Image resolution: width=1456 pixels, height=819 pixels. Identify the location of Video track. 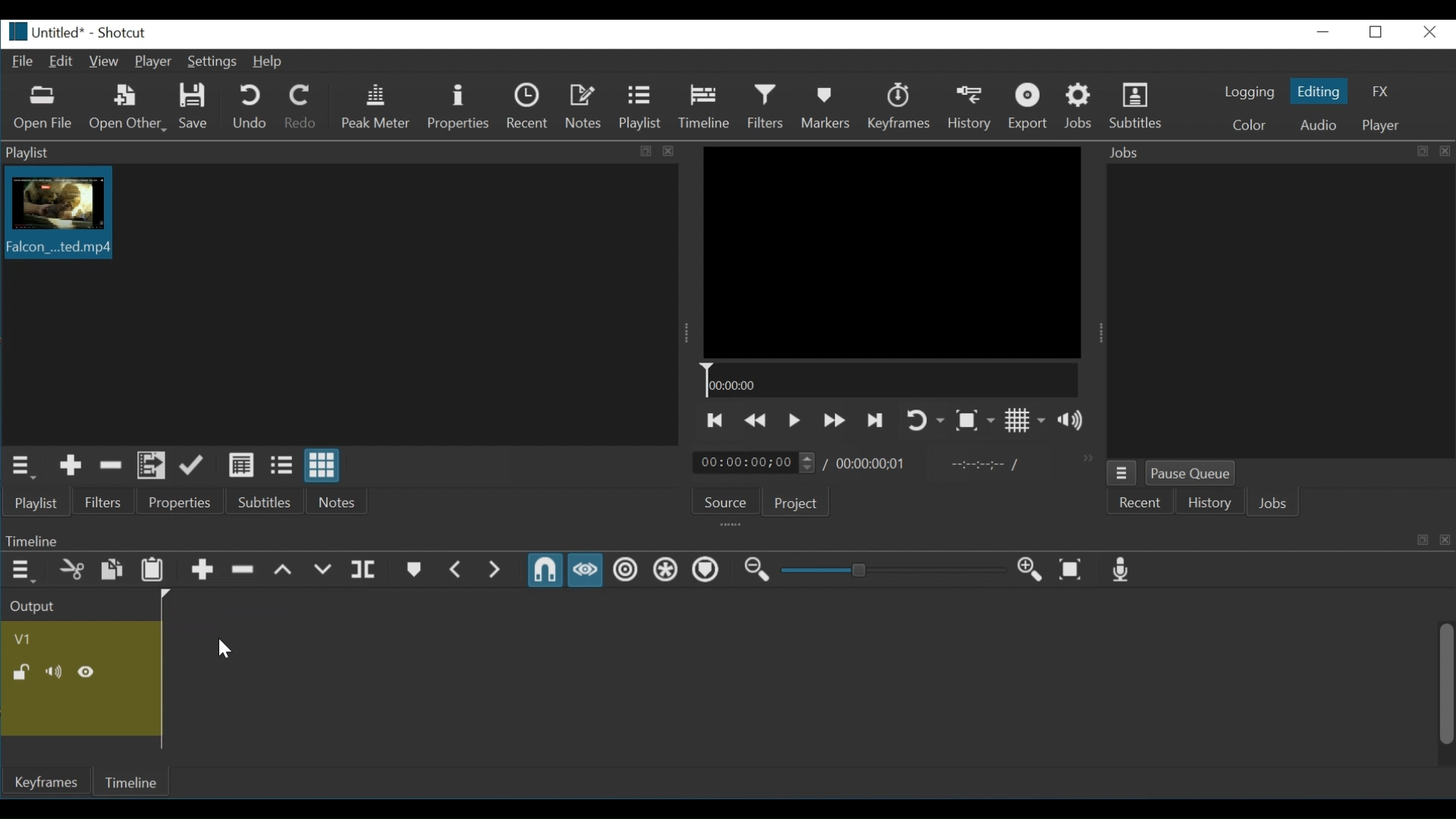
(26, 637).